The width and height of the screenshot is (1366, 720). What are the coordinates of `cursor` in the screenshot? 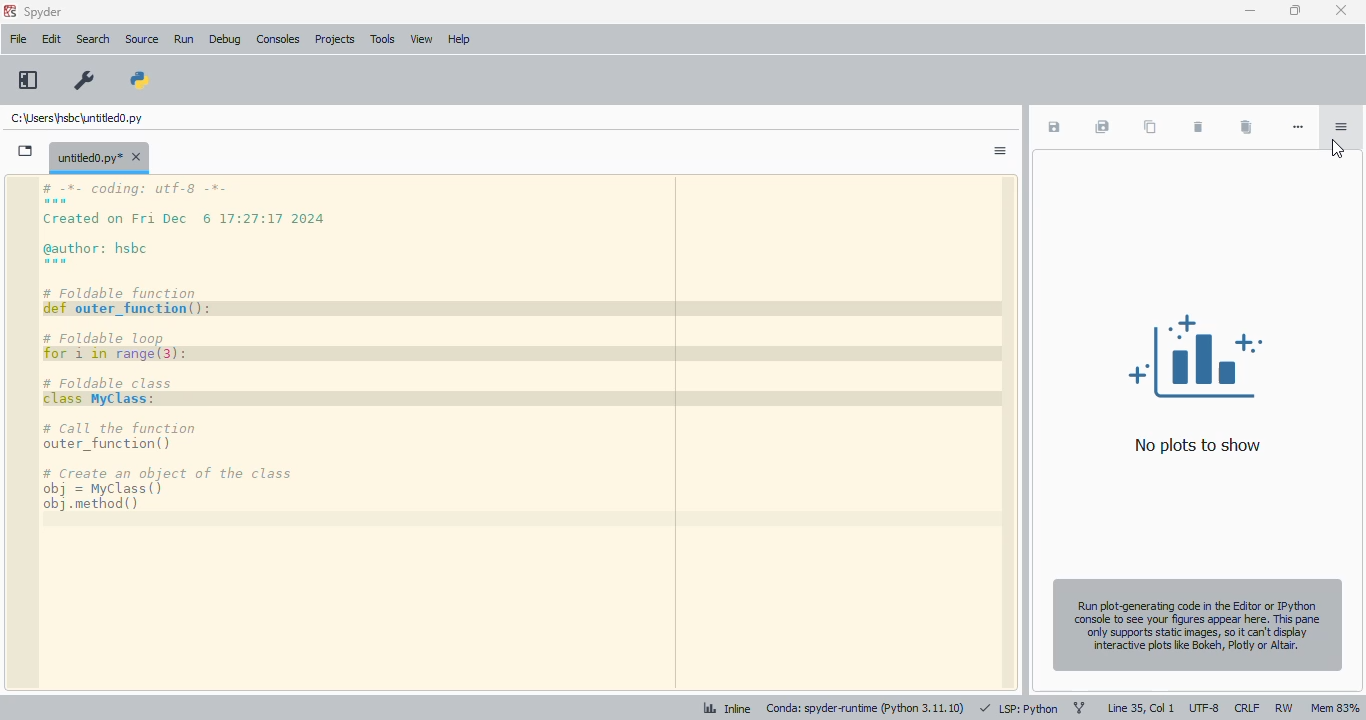 It's located at (1340, 149).